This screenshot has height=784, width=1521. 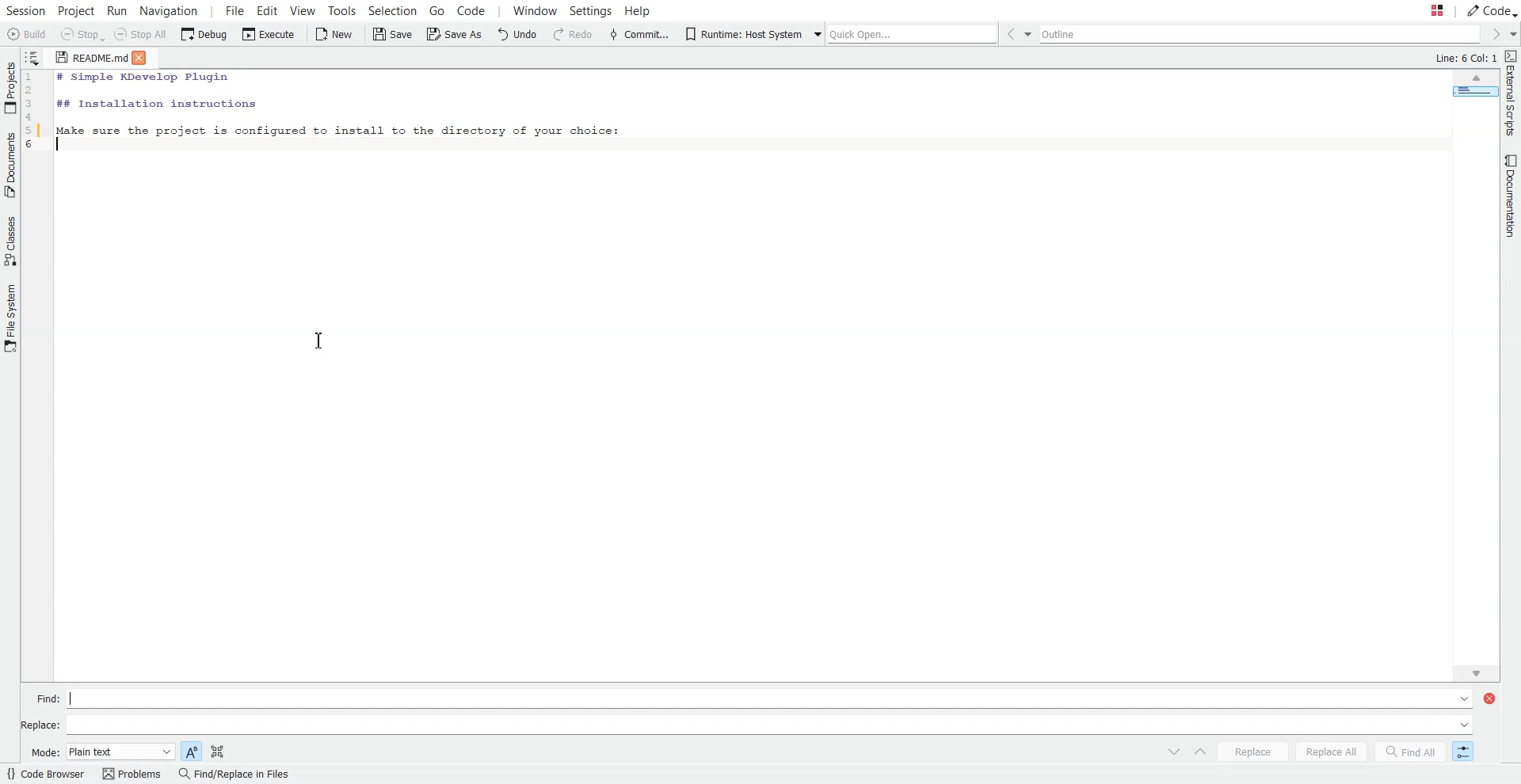 What do you see at coordinates (1263, 35) in the screenshot?
I see `Outline` at bounding box center [1263, 35].